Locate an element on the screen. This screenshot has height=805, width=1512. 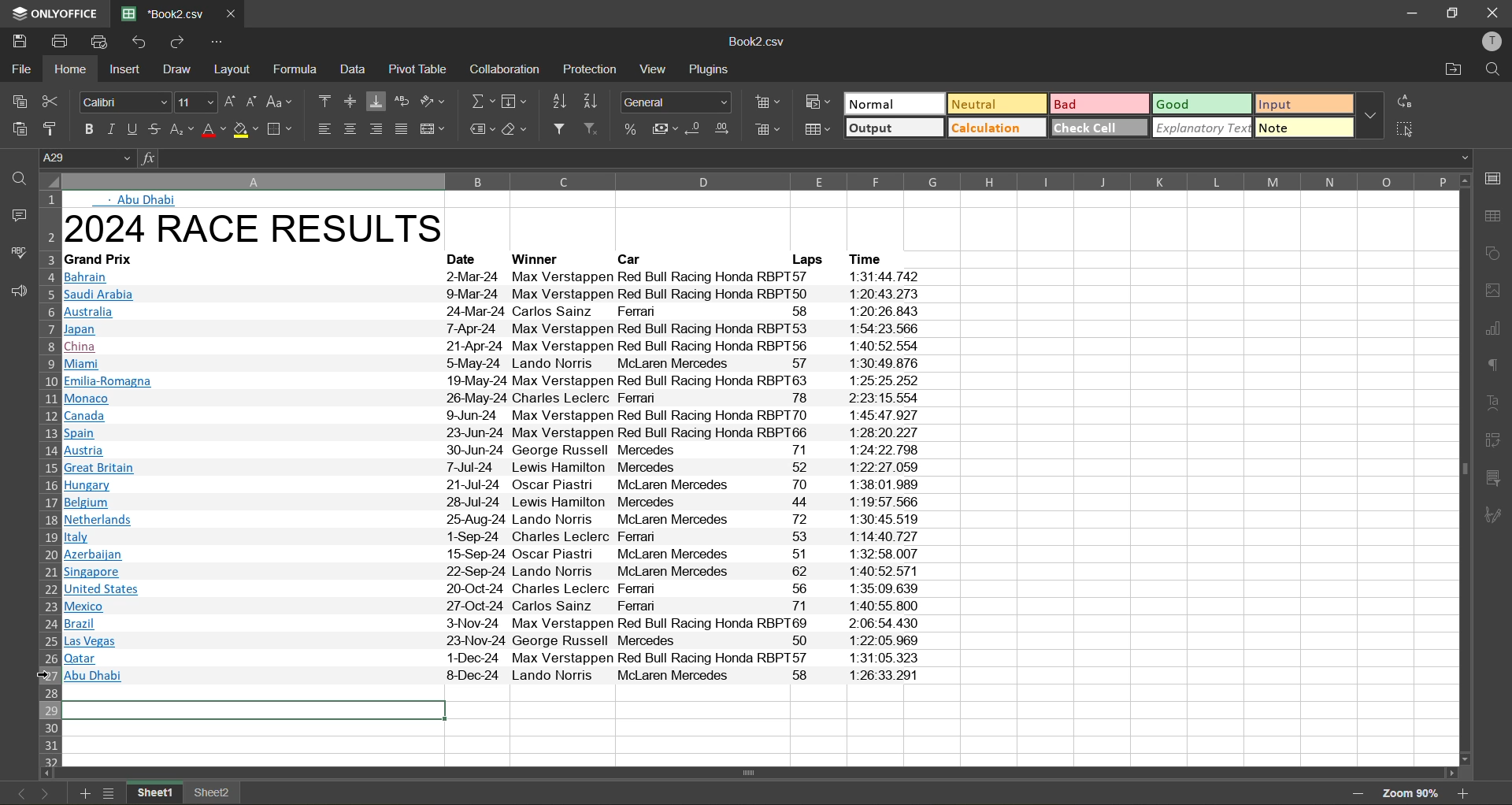
explanatory text is located at coordinates (1204, 128).